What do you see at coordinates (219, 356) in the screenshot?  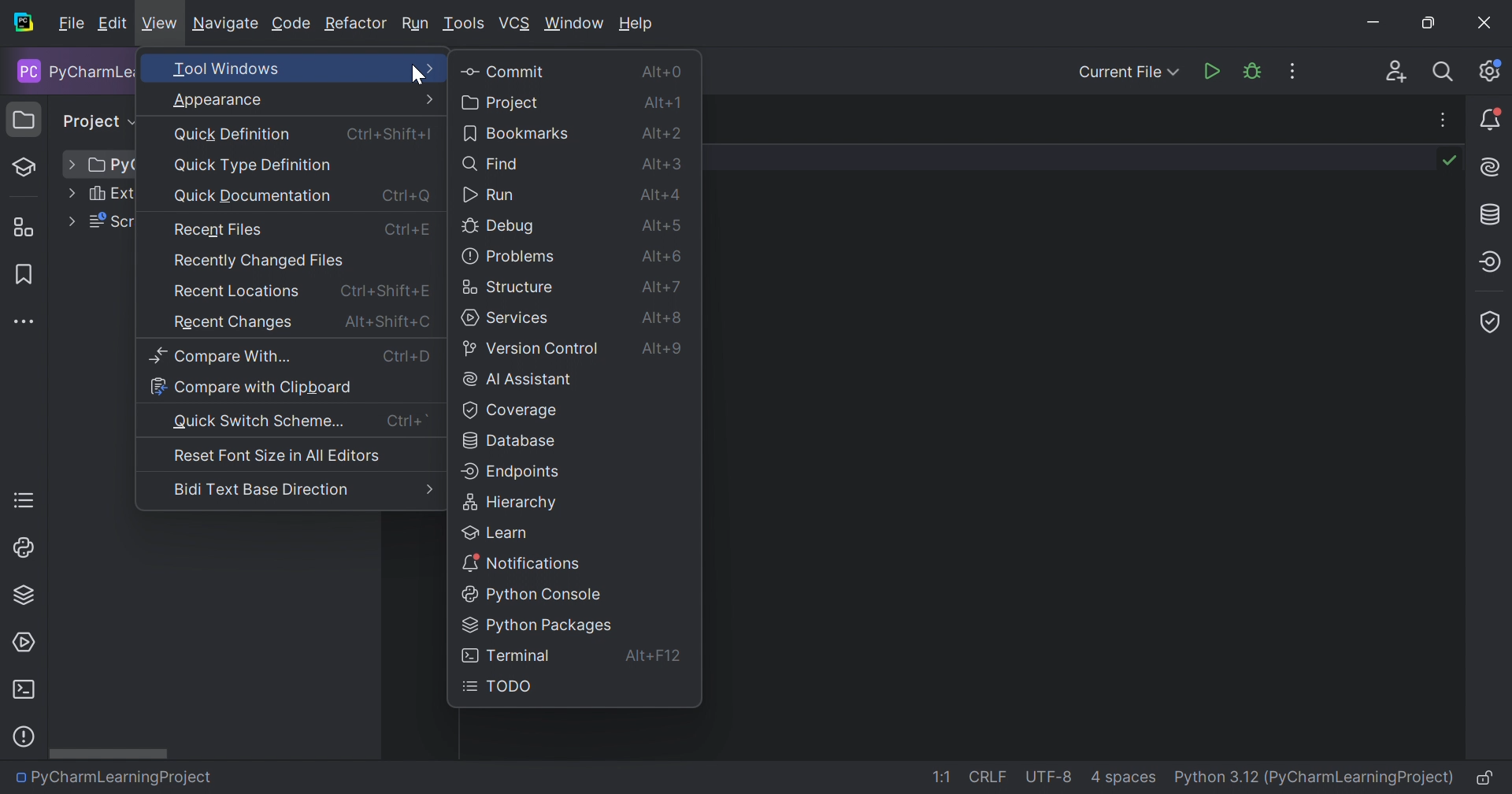 I see `Compare With...` at bounding box center [219, 356].